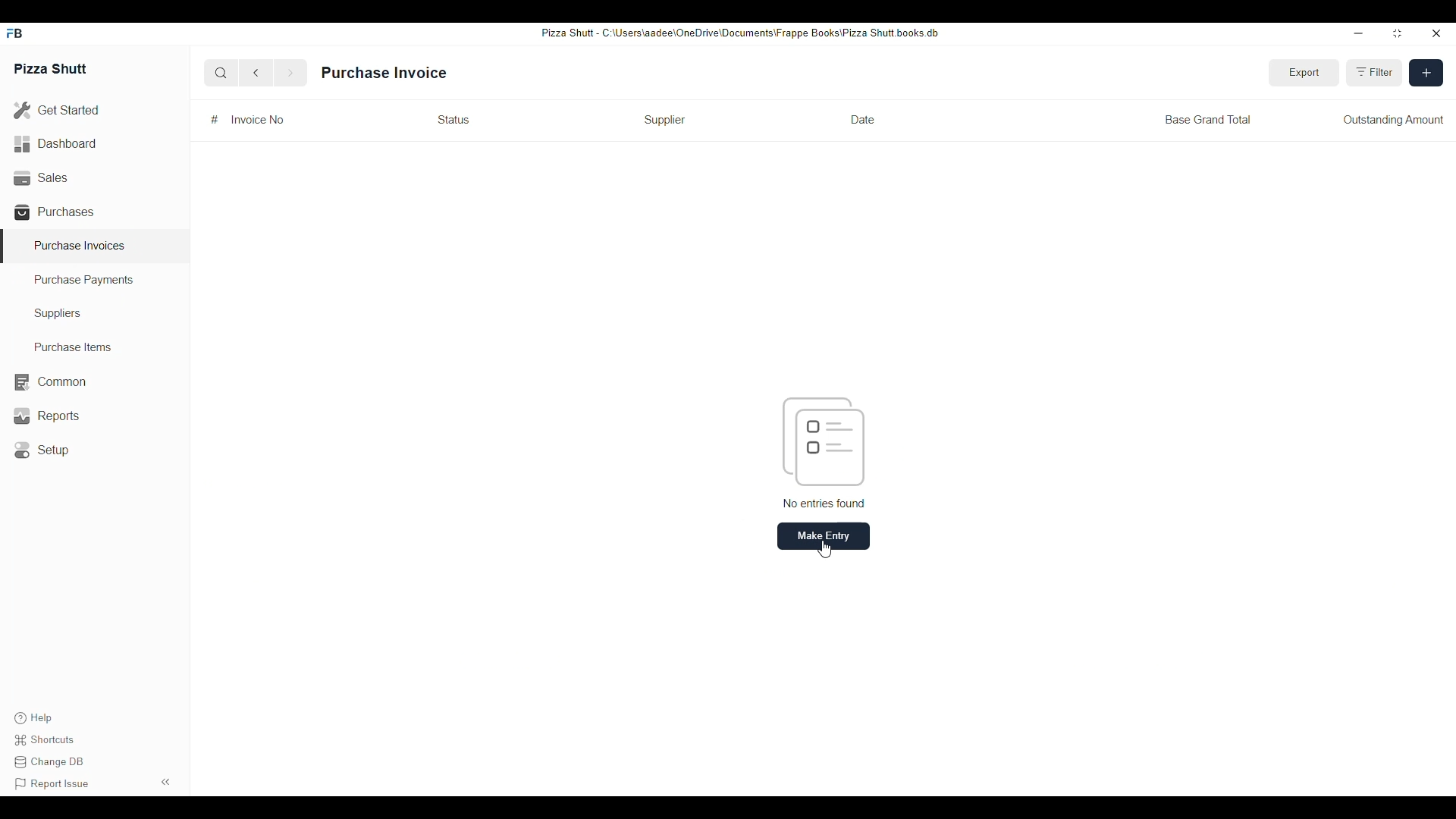 The image size is (1456, 819). What do you see at coordinates (52, 764) in the screenshot?
I see `Change DB` at bounding box center [52, 764].